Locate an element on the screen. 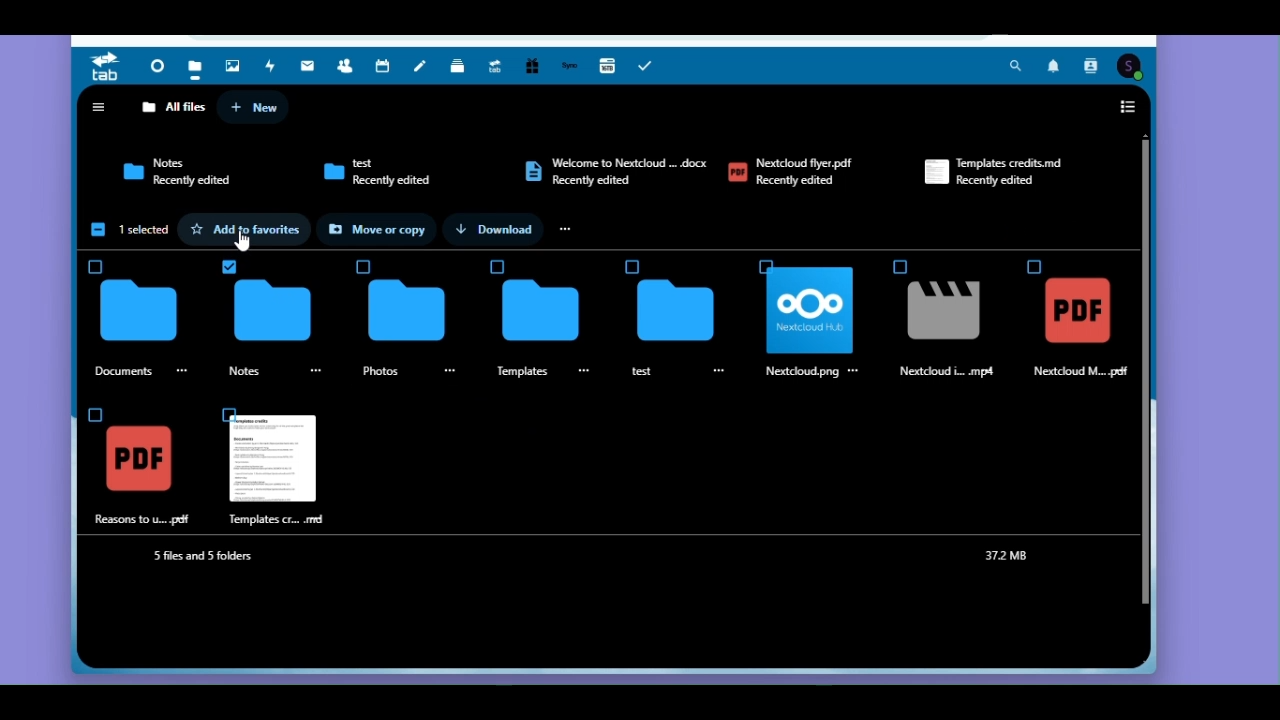  Check Box is located at coordinates (92, 414).